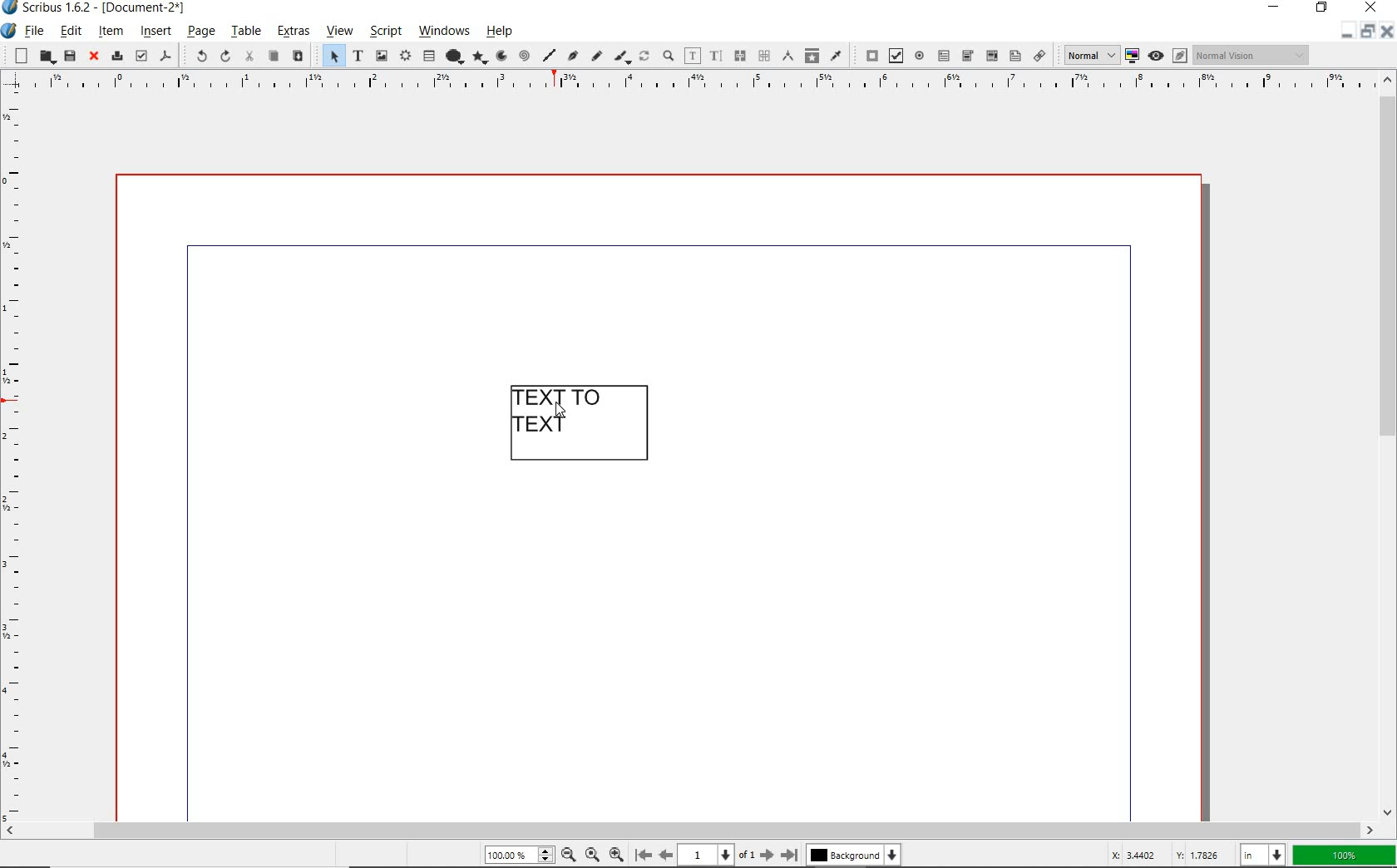 The image size is (1397, 868). What do you see at coordinates (1155, 855) in the screenshot?
I see `coordinates` at bounding box center [1155, 855].